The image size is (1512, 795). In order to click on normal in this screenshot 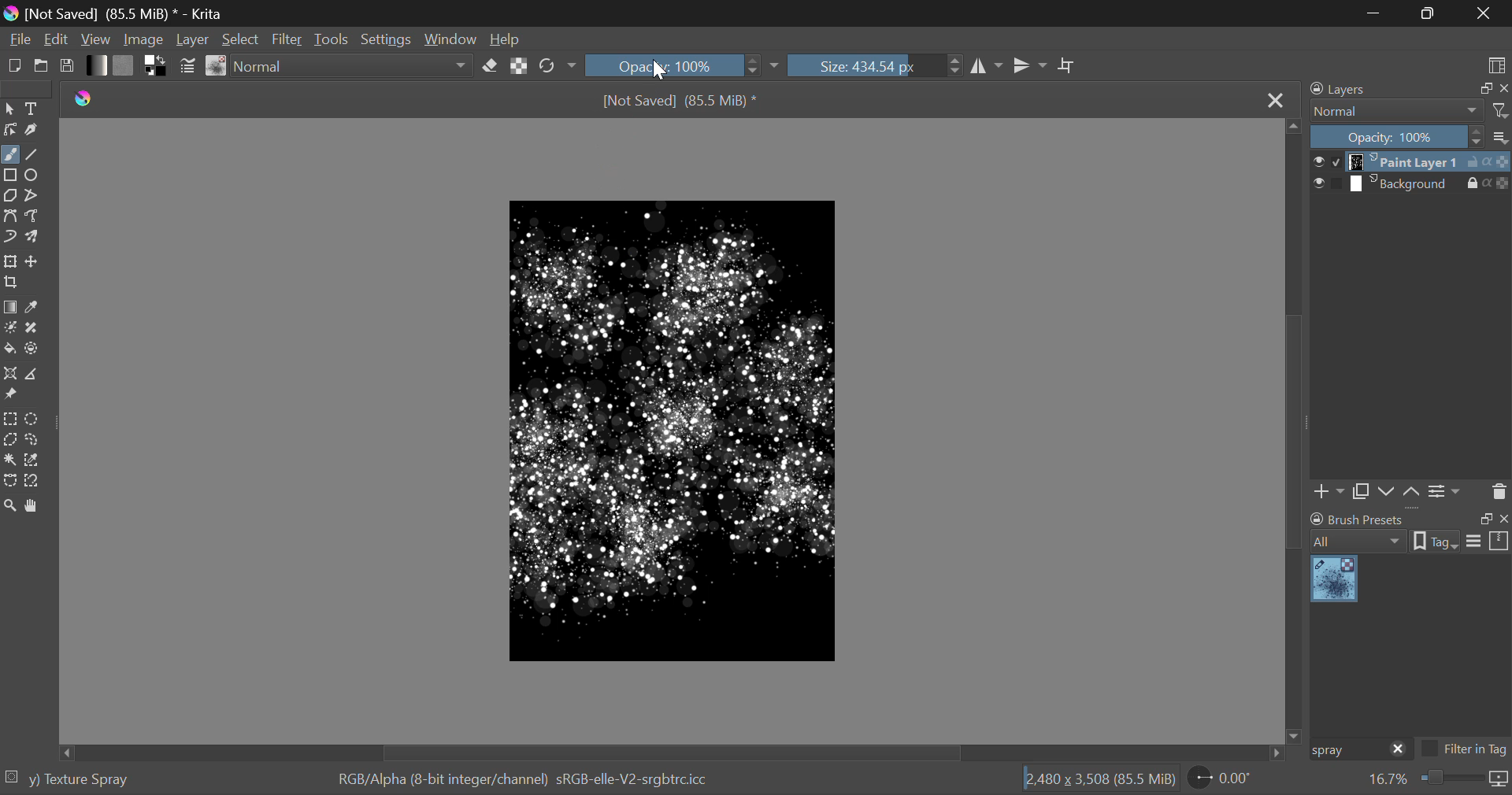, I will do `click(1397, 111)`.